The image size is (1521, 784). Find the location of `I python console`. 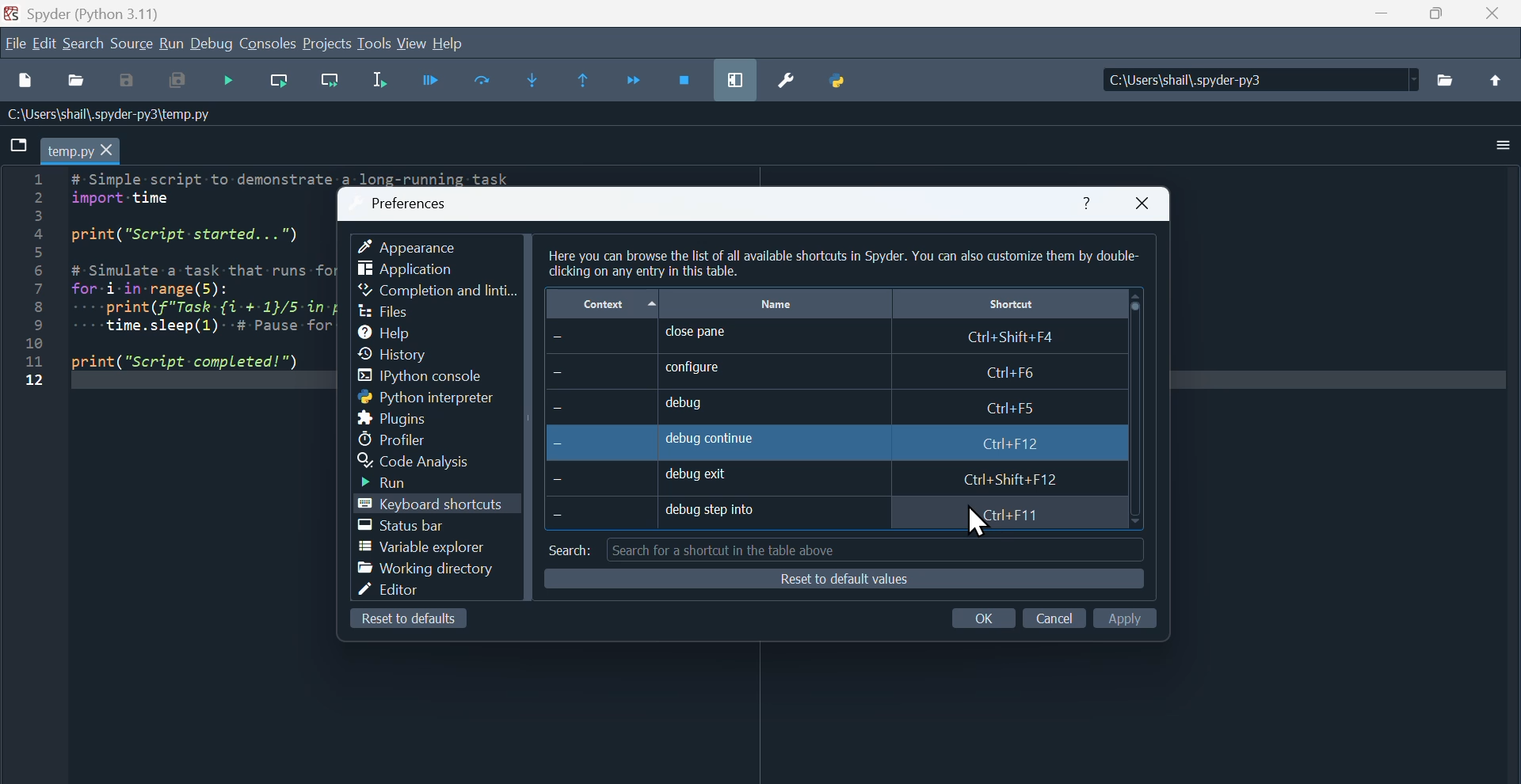

I python console is located at coordinates (429, 377).